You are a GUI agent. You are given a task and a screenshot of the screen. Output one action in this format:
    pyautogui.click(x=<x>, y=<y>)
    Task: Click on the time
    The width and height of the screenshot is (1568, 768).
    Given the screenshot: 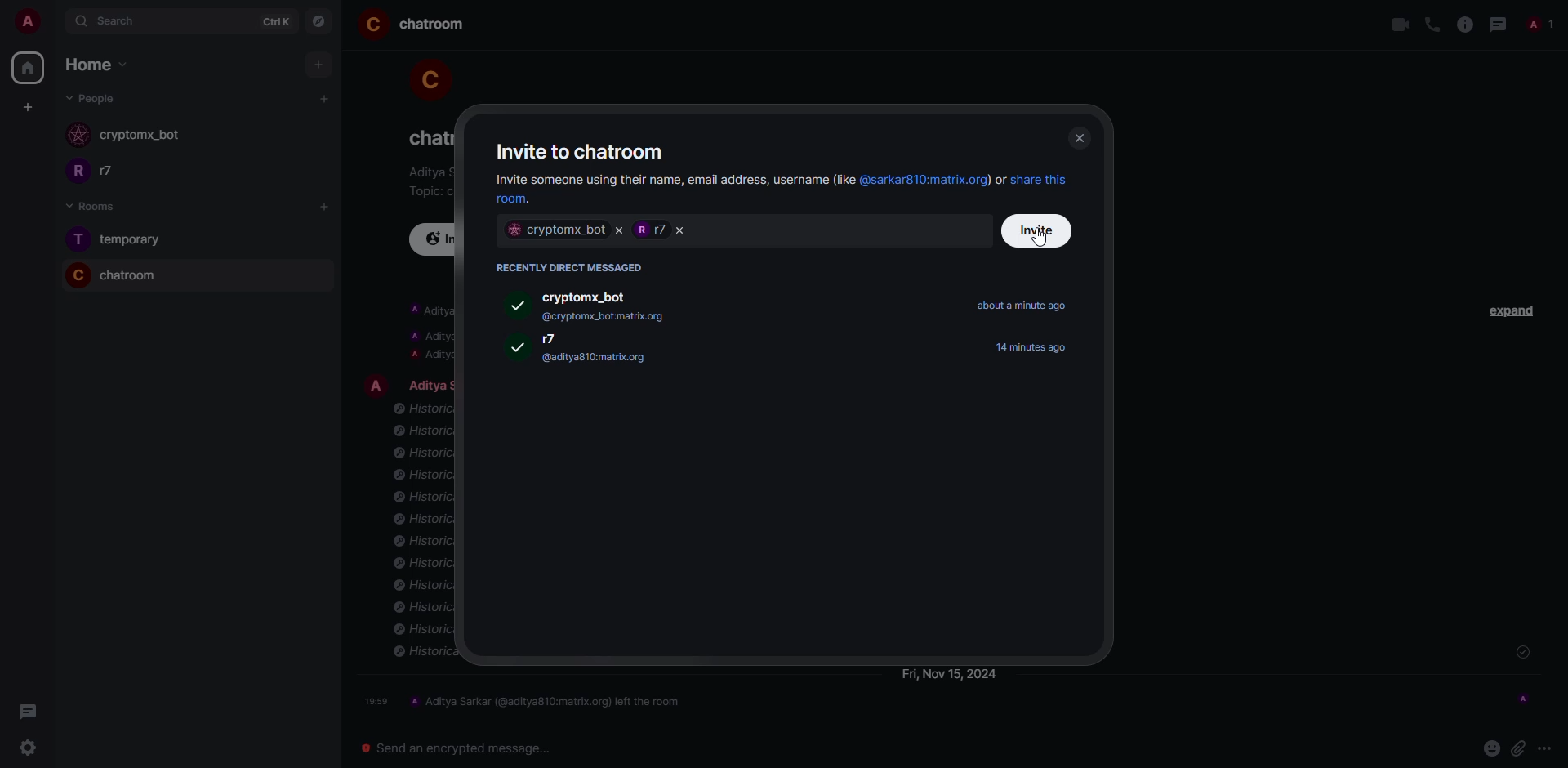 What is the action you would take?
    pyautogui.click(x=1022, y=306)
    